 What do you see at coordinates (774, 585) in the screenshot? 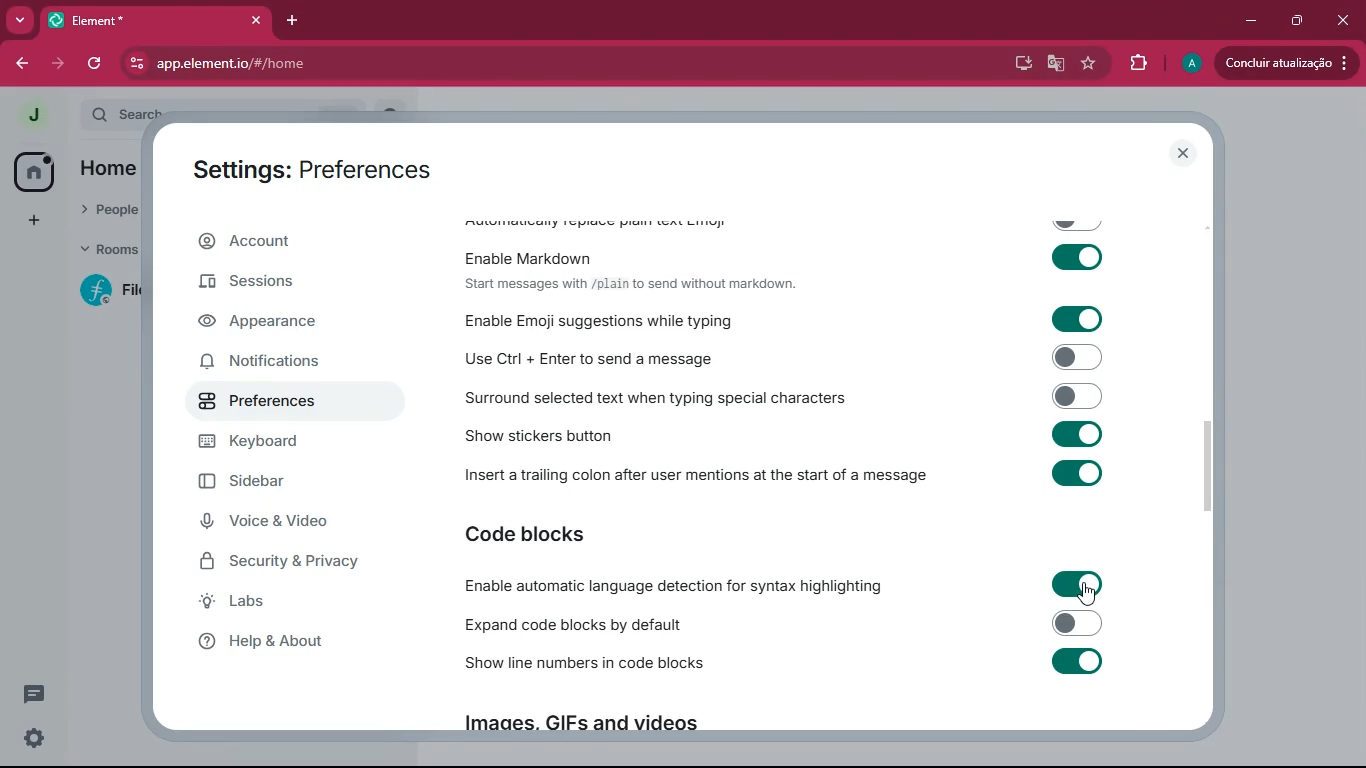
I see `Enable automatic language detection for syntax highlighting` at bounding box center [774, 585].